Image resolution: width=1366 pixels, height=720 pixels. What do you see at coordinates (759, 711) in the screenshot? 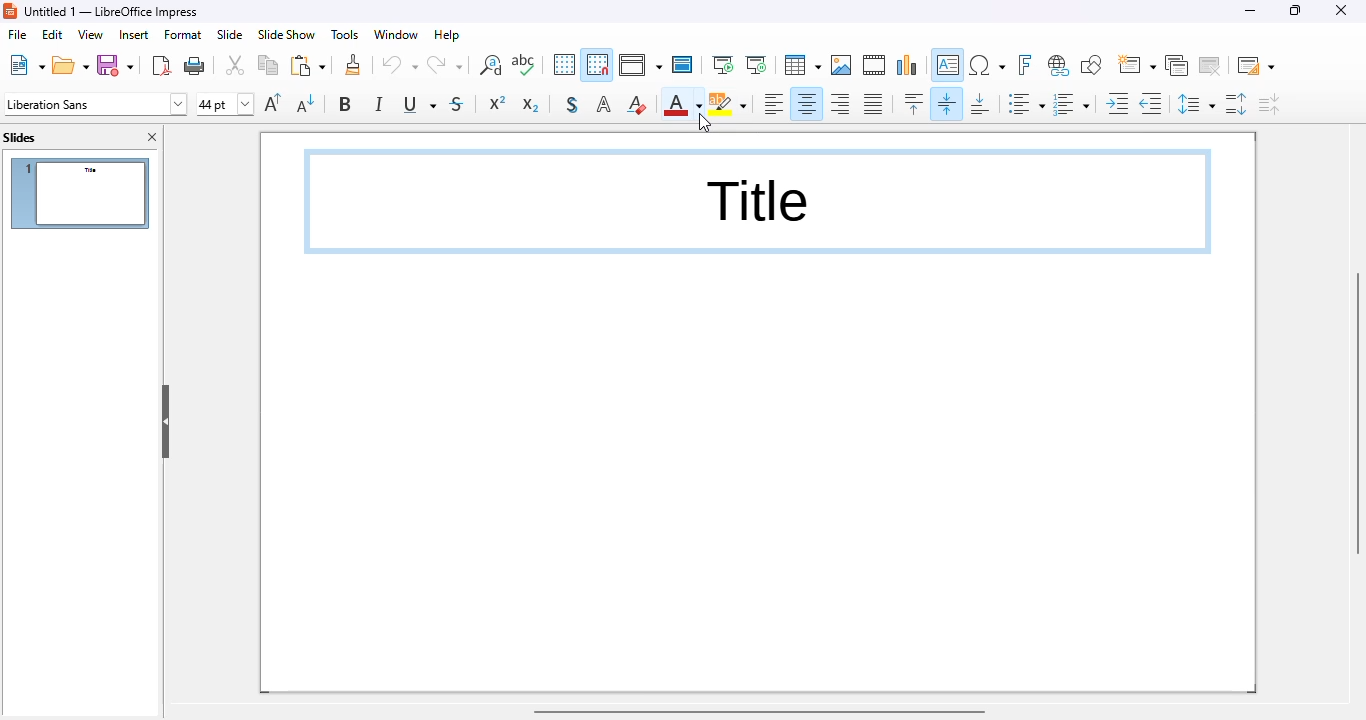
I see `horizontal scroll bar` at bounding box center [759, 711].